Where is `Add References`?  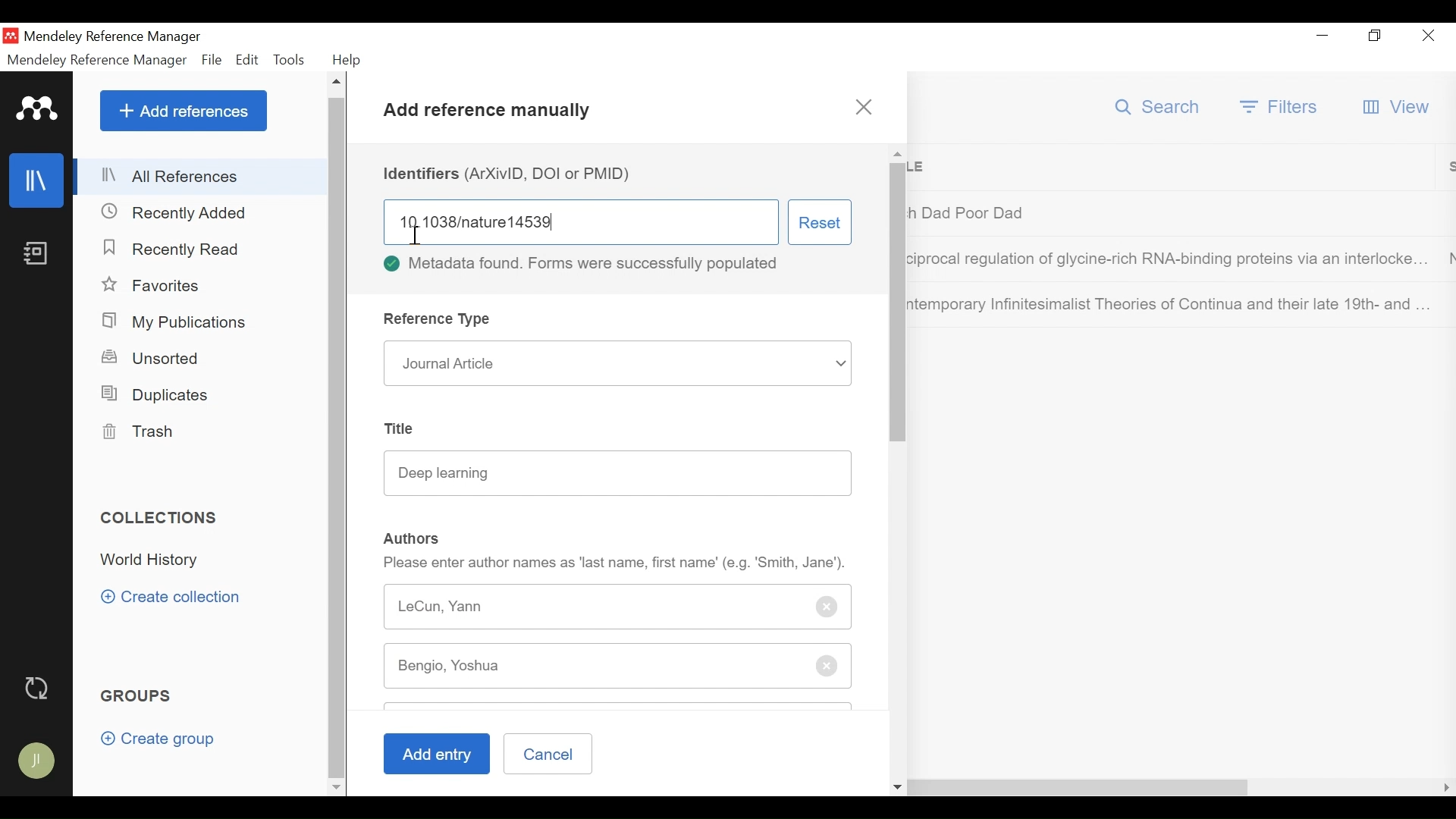
Add References is located at coordinates (184, 111).